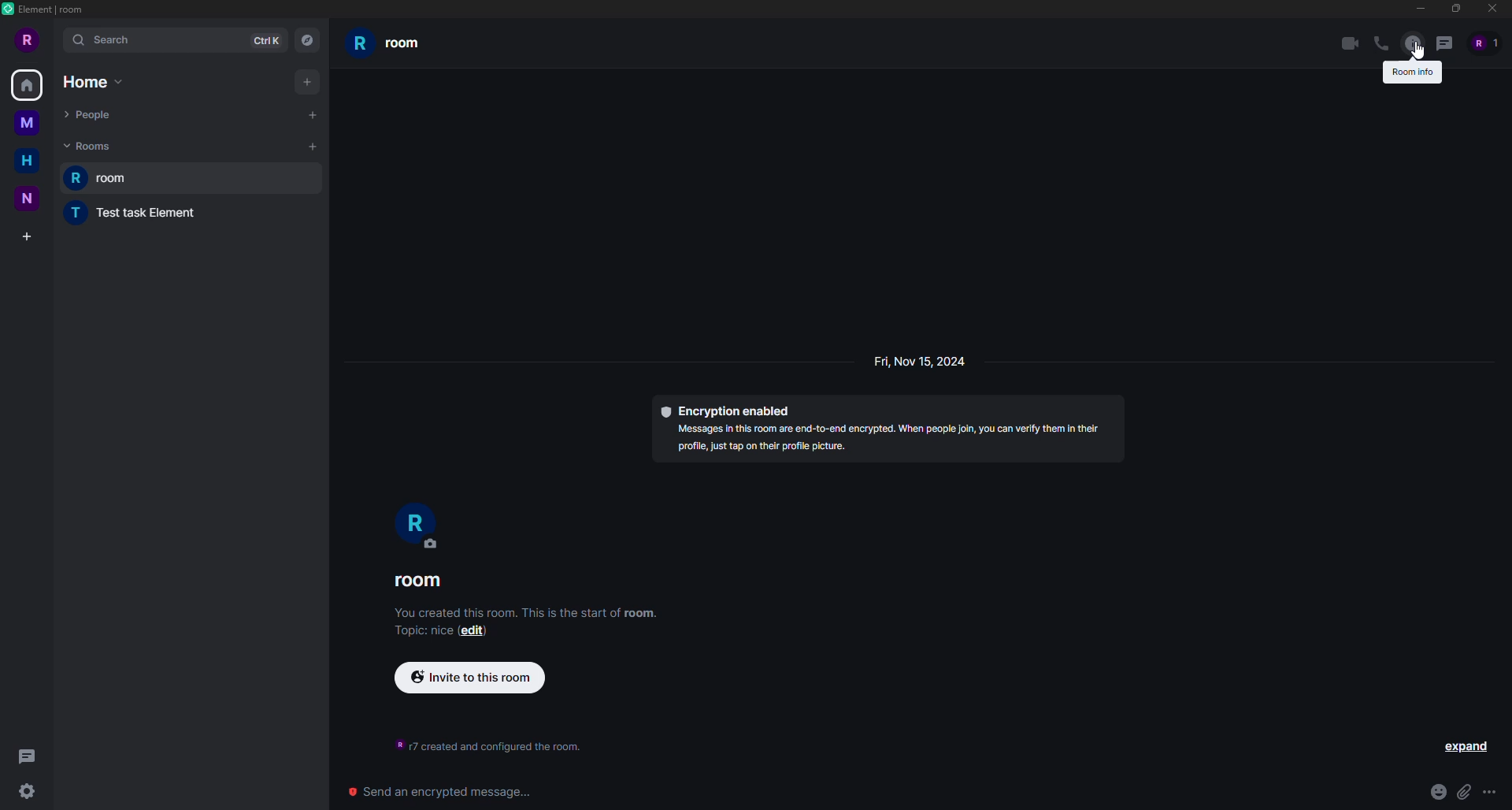 The width and height of the screenshot is (1512, 810). I want to click on search bar, so click(174, 40).